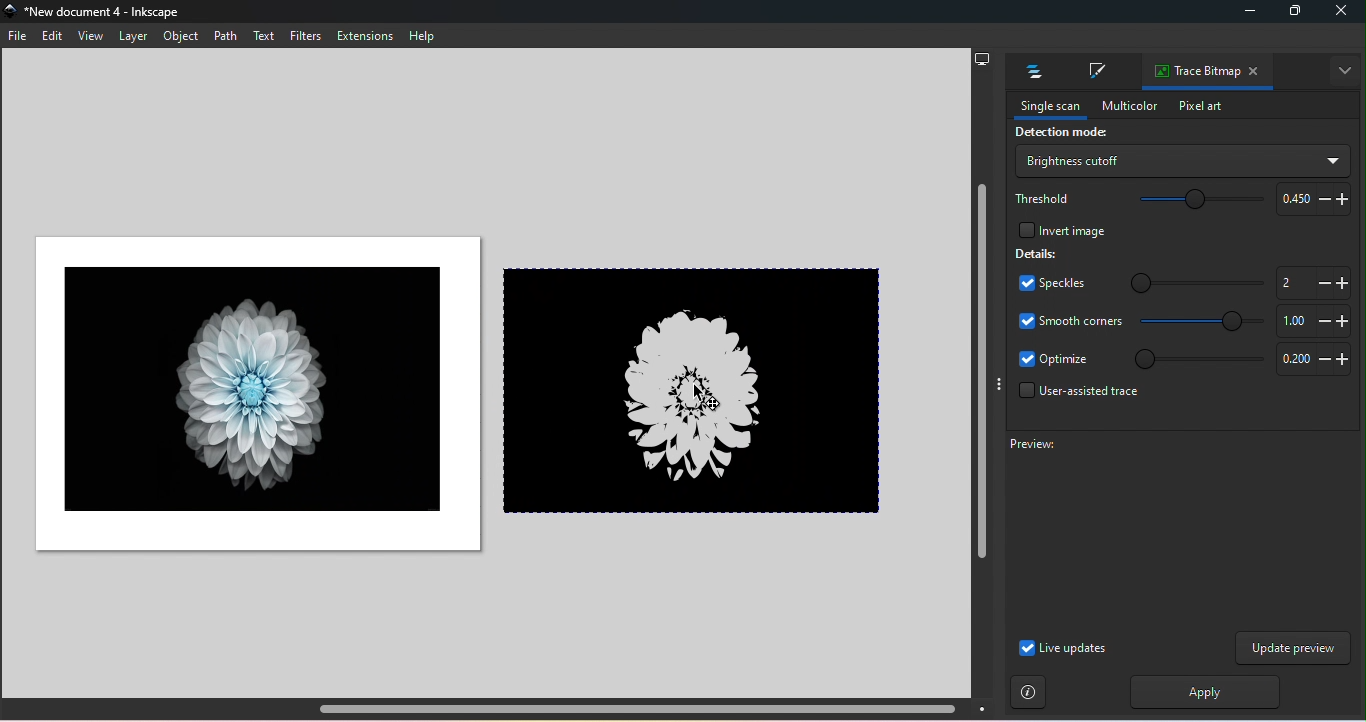 The width and height of the screenshot is (1366, 722). What do you see at coordinates (51, 37) in the screenshot?
I see `Edit` at bounding box center [51, 37].